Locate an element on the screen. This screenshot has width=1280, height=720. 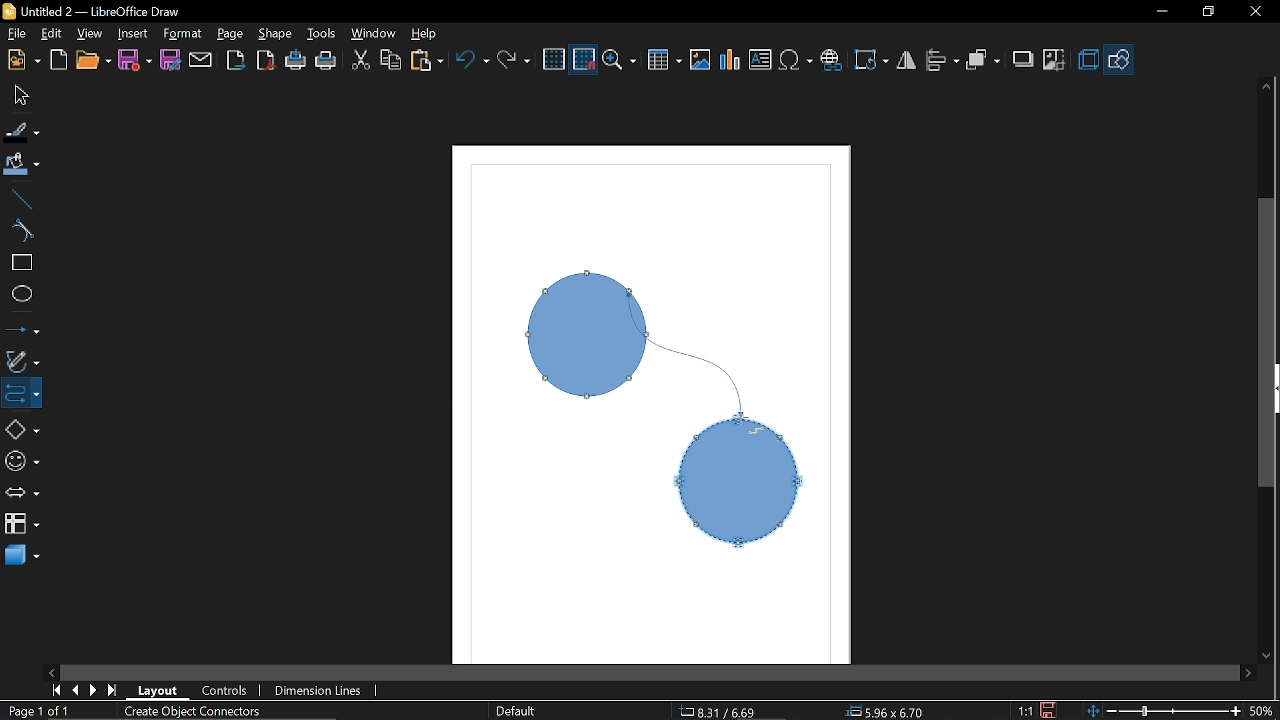
Save as is located at coordinates (170, 59).